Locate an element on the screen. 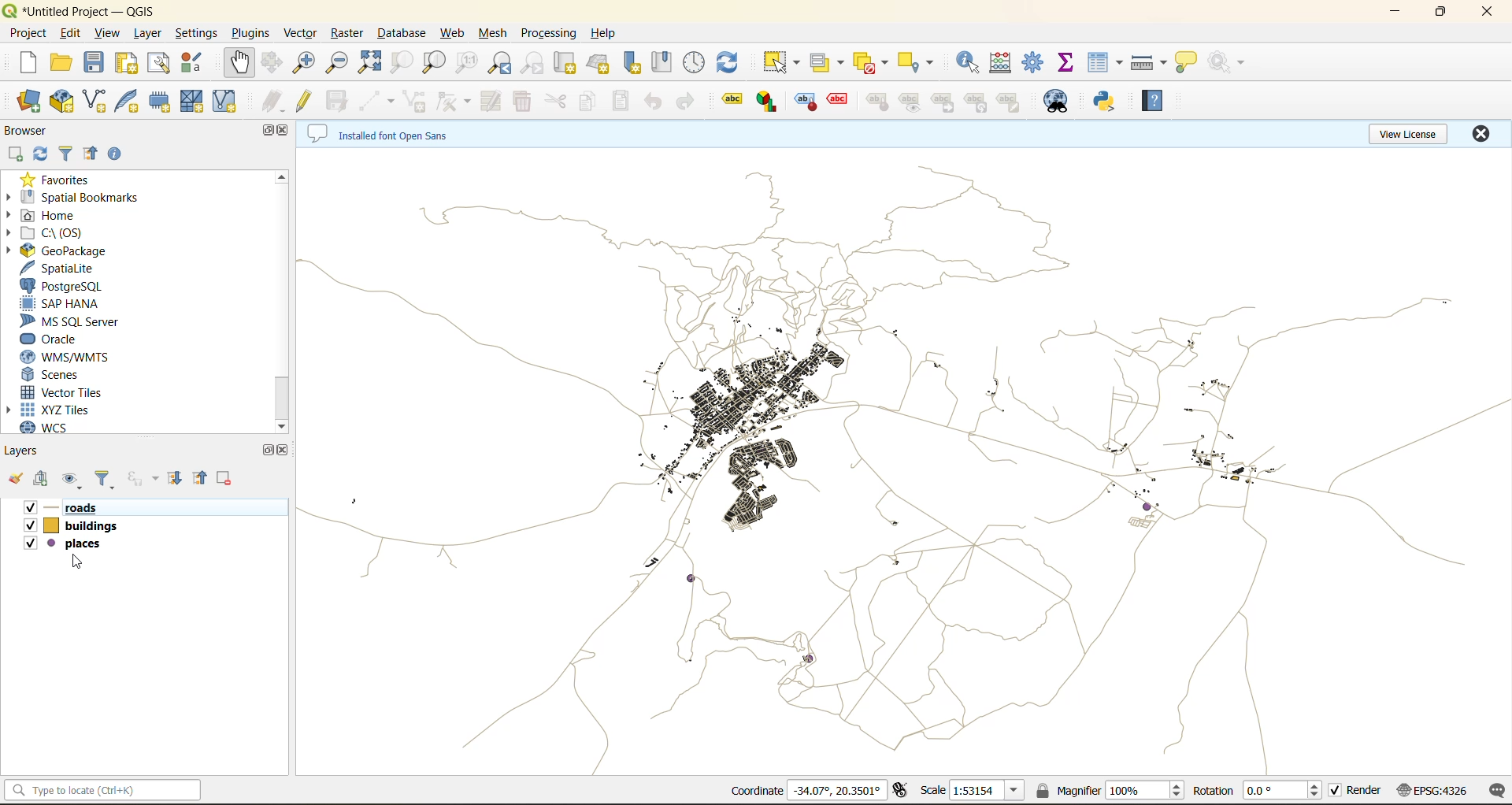 This screenshot has height=805, width=1512. add is located at coordinates (43, 478).